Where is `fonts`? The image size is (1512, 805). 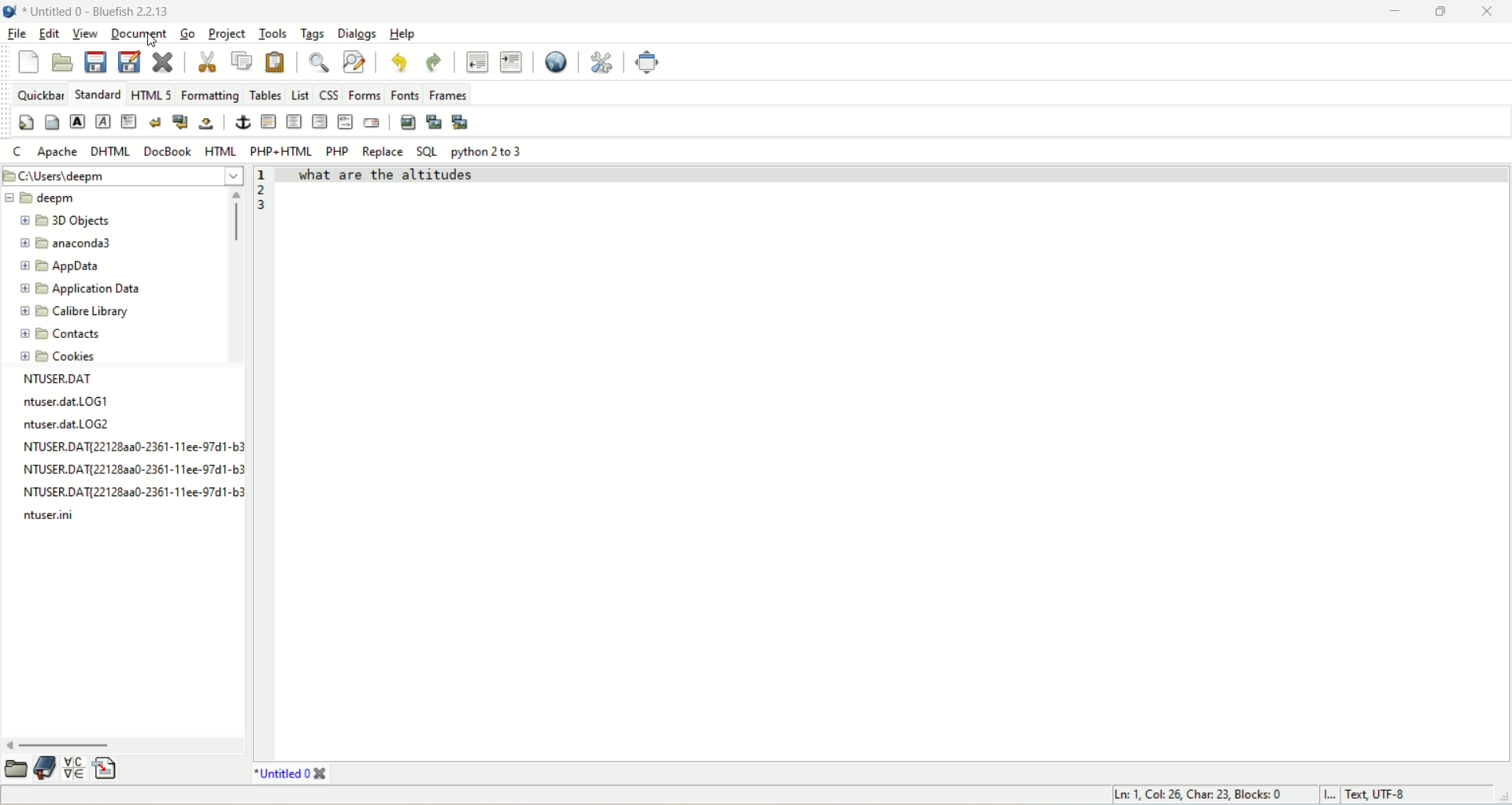 fonts is located at coordinates (403, 93).